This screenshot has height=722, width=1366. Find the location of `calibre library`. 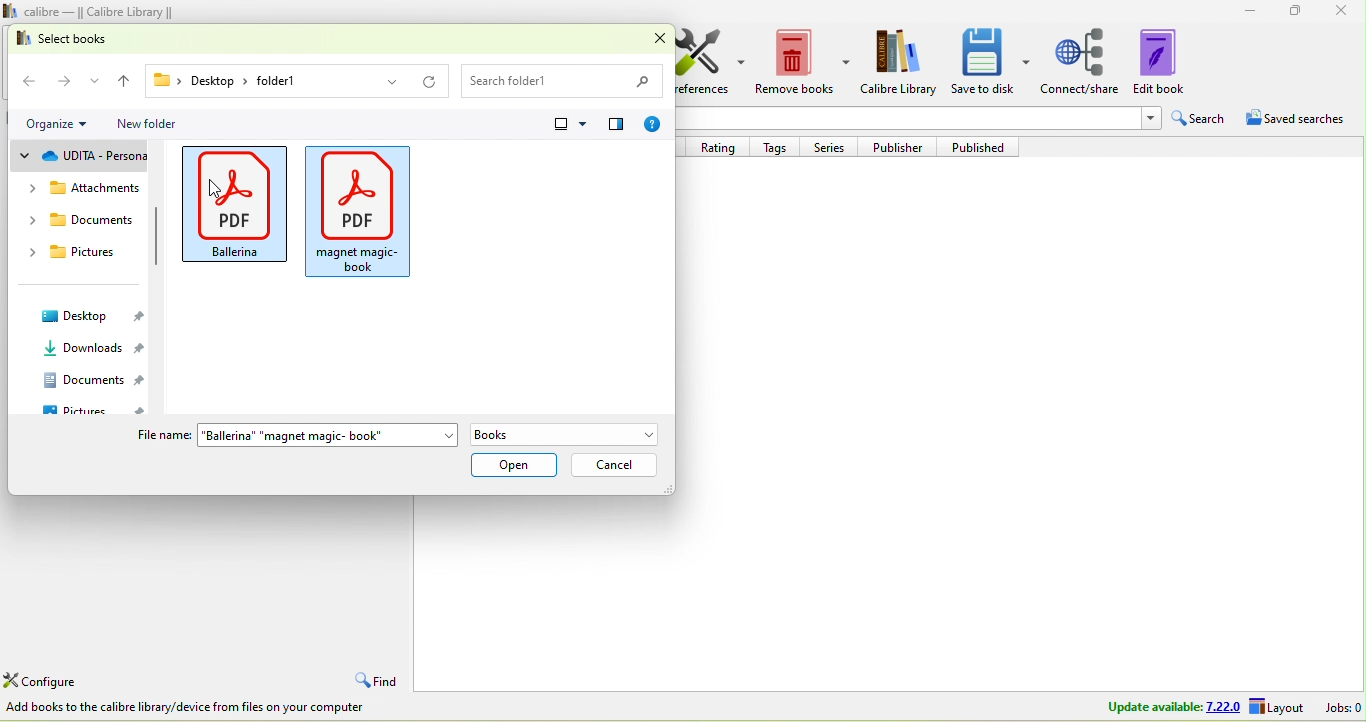

calibre library is located at coordinates (901, 63).